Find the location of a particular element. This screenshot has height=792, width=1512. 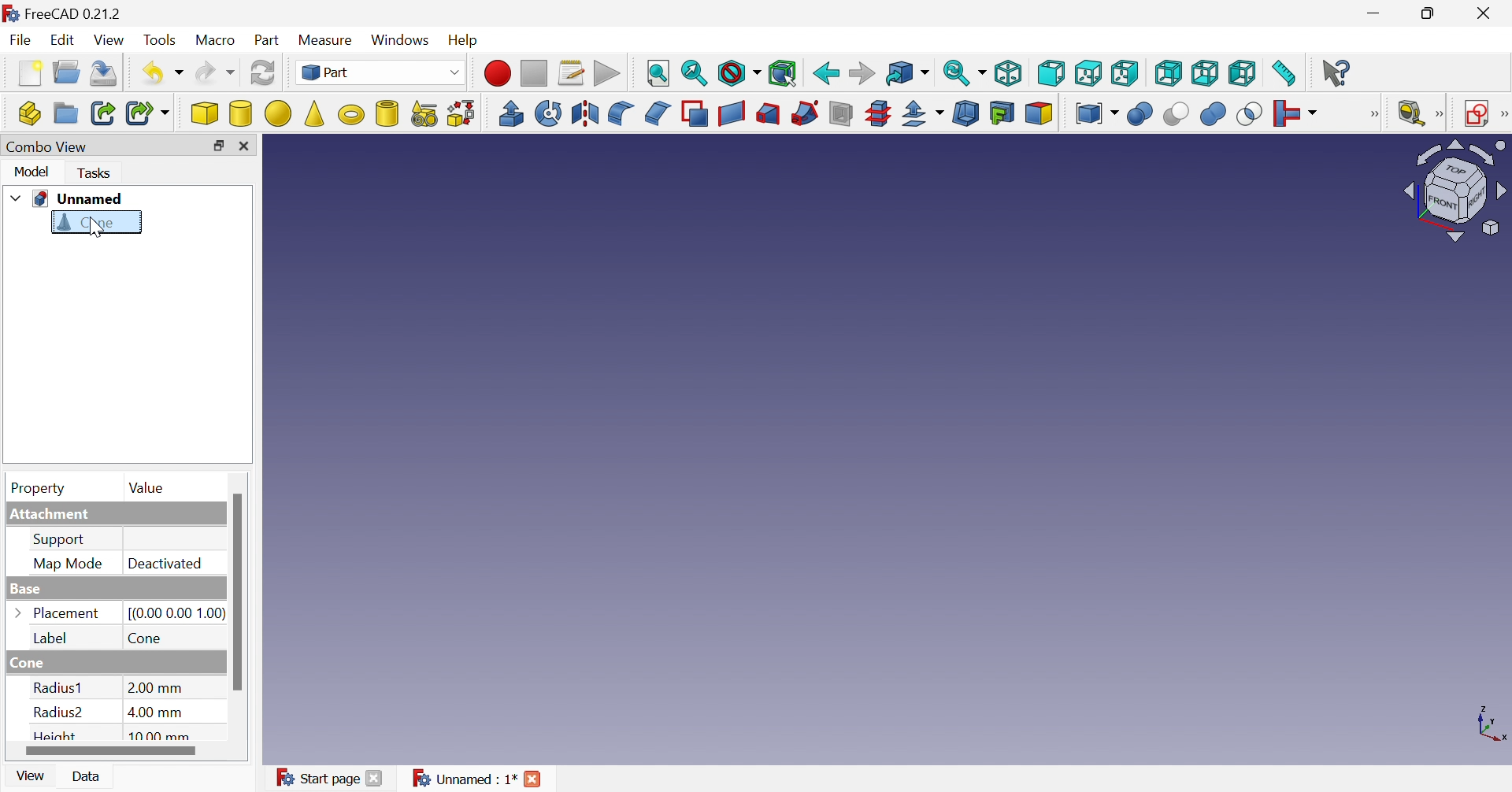

Left is located at coordinates (1242, 73).